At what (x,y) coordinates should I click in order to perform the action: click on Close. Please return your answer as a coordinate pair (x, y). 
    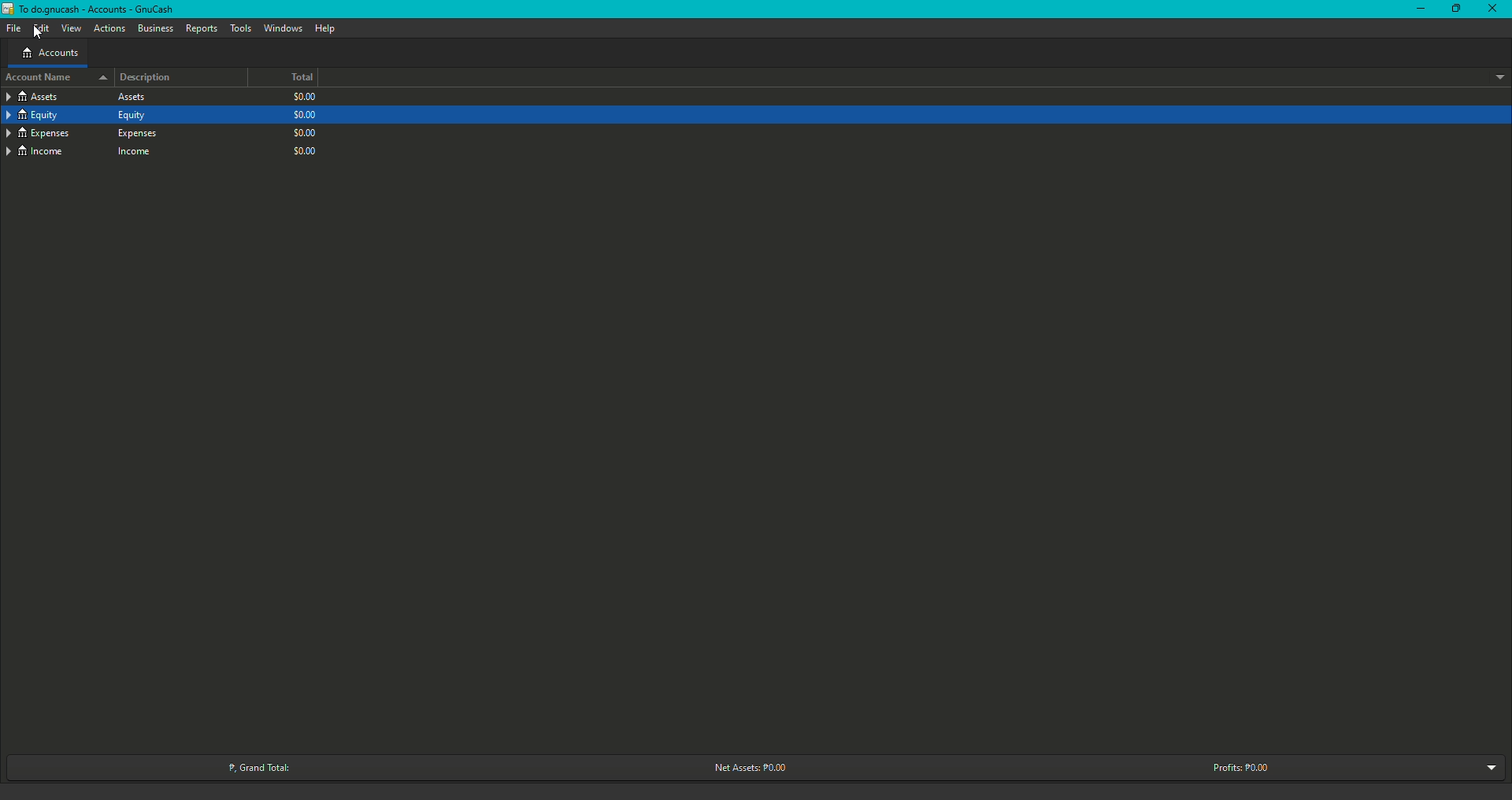
    Looking at the image, I should click on (1497, 8).